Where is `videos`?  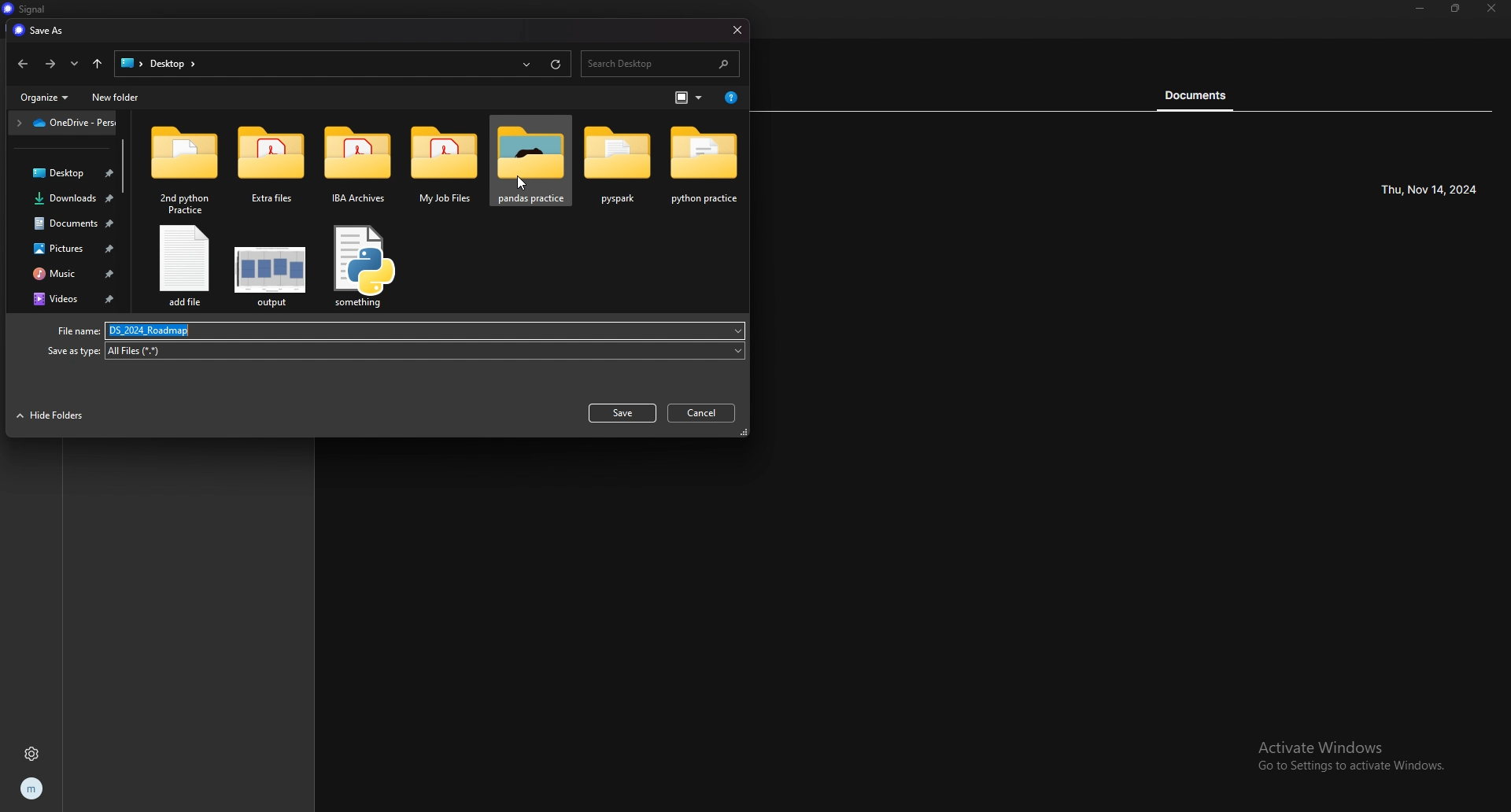 videos is located at coordinates (71, 298).